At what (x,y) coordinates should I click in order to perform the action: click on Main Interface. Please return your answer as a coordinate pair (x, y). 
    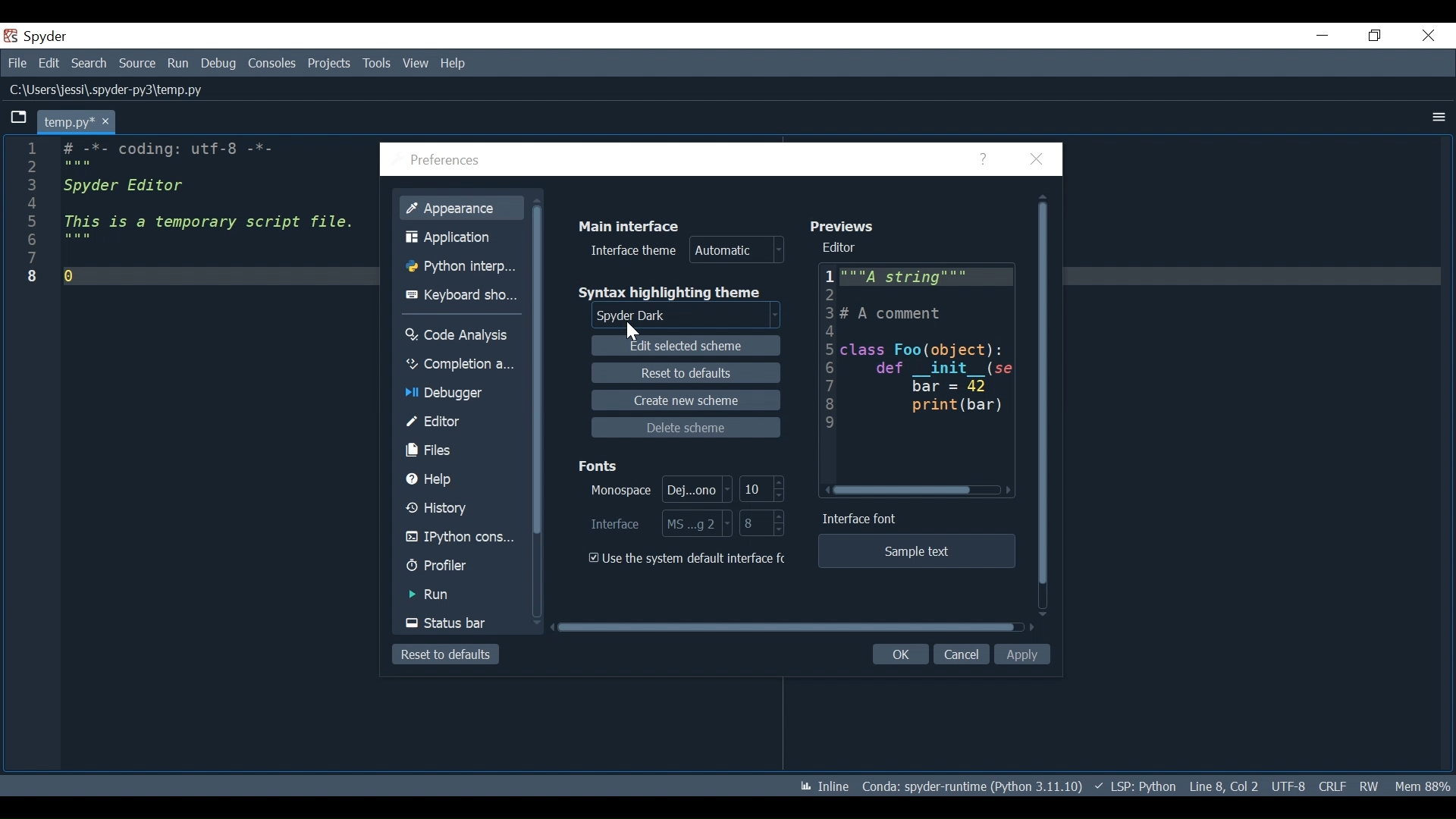
    Looking at the image, I should click on (633, 227).